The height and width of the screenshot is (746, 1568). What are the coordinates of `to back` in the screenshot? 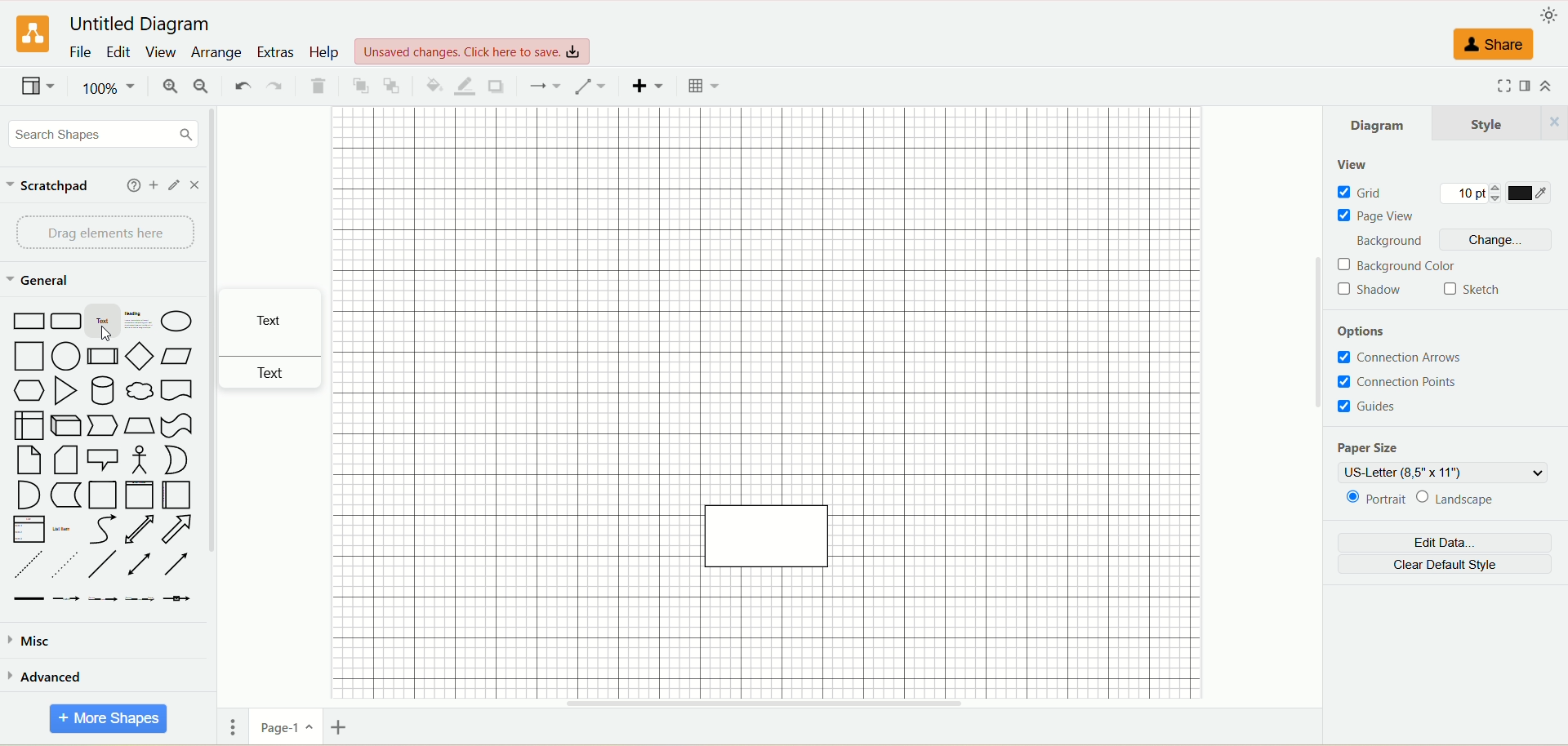 It's located at (394, 86).